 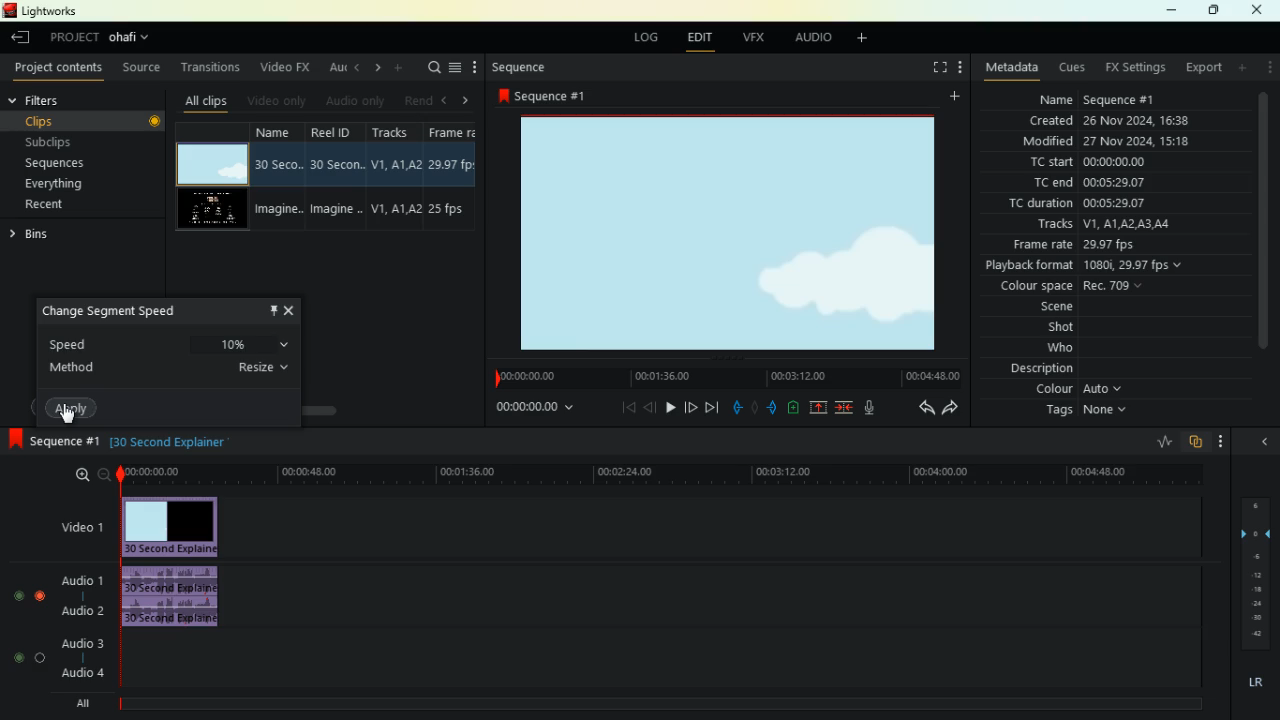 What do you see at coordinates (818, 408) in the screenshot?
I see `up` at bounding box center [818, 408].